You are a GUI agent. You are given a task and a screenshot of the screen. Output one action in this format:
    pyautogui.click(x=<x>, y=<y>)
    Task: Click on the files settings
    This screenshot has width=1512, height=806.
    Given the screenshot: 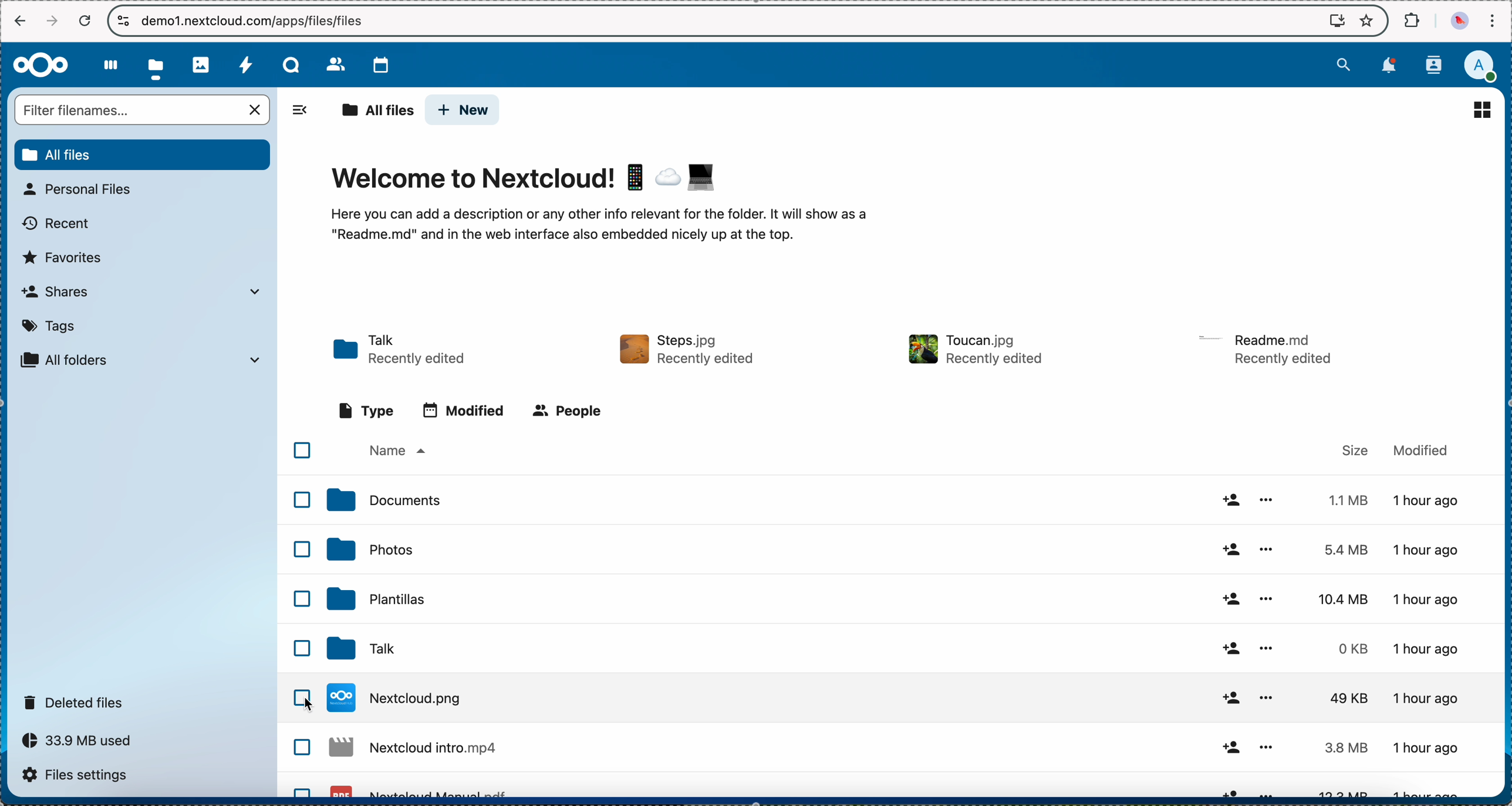 What is the action you would take?
    pyautogui.click(x=78, y=775)
    